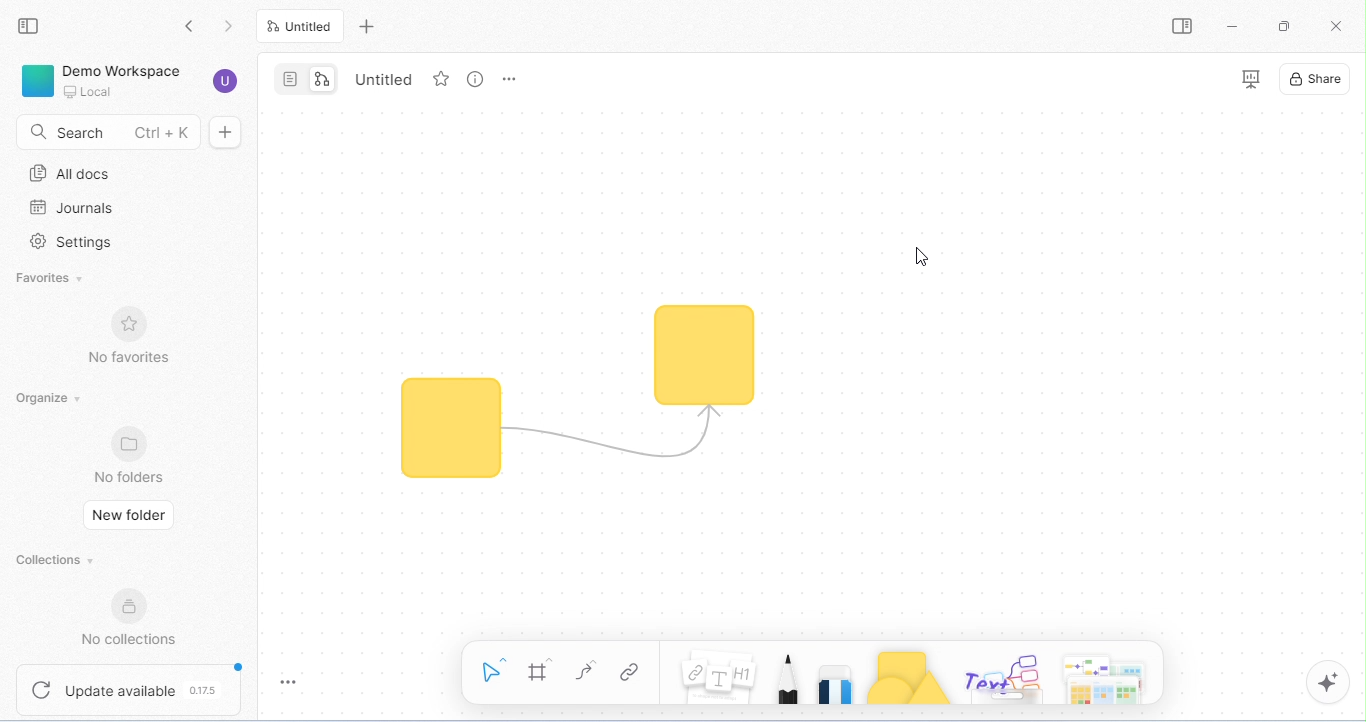 This screenshot has width=1366, height=722. What do you see at coordinates (290, 78) in the screenshot?
I see `page mode` at bounding box center [290, 78].